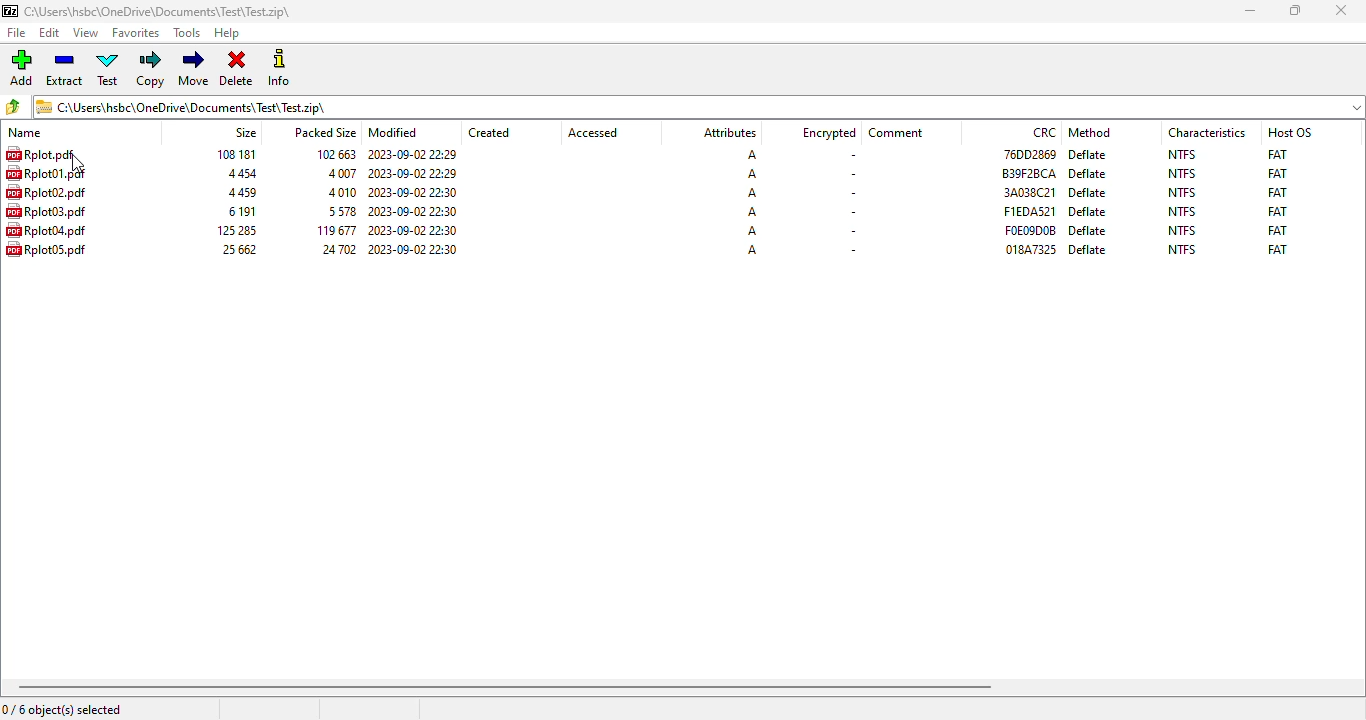  I want to click on FAT, so click(1277, 249).